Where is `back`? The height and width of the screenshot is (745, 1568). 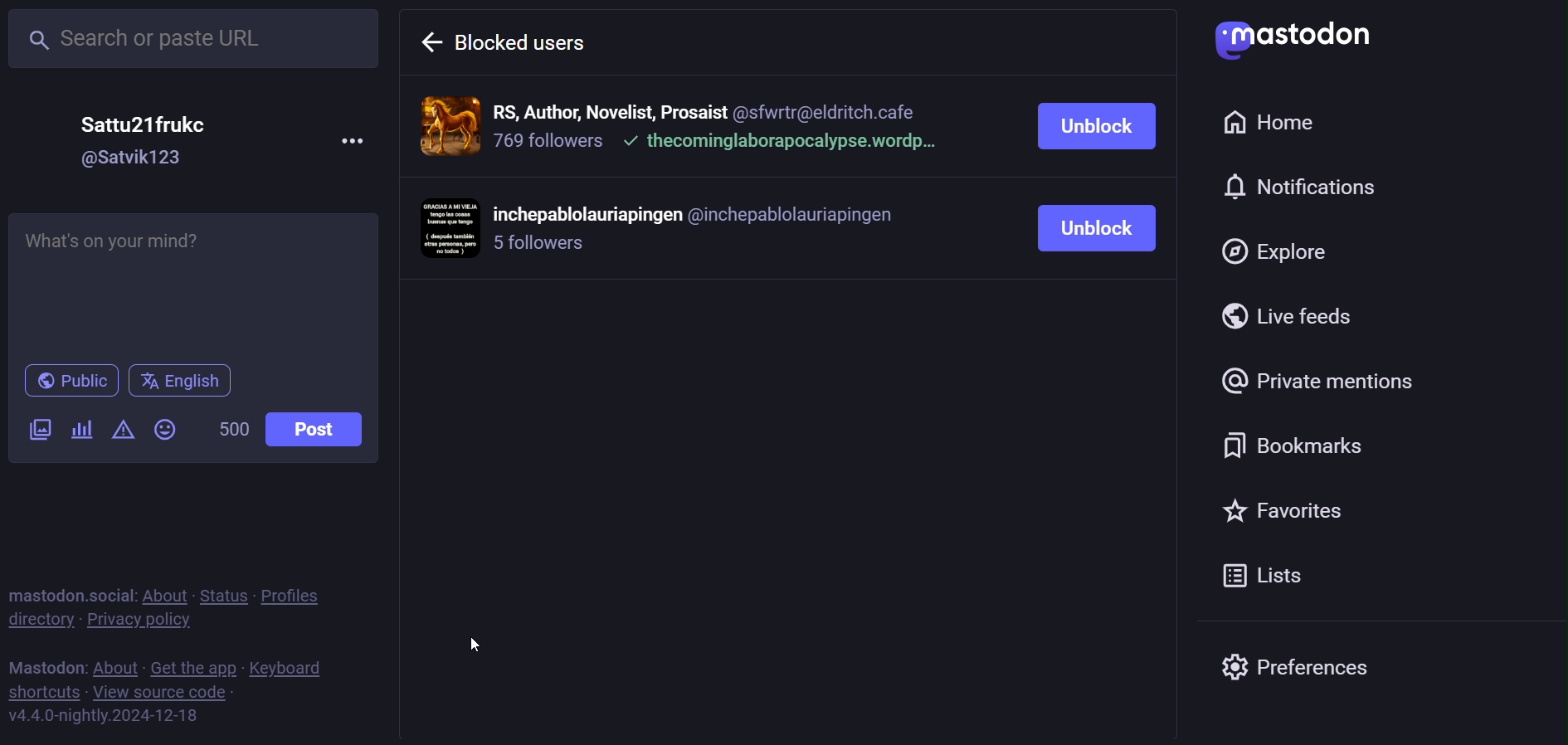 back is located at coordinates (431, 42).